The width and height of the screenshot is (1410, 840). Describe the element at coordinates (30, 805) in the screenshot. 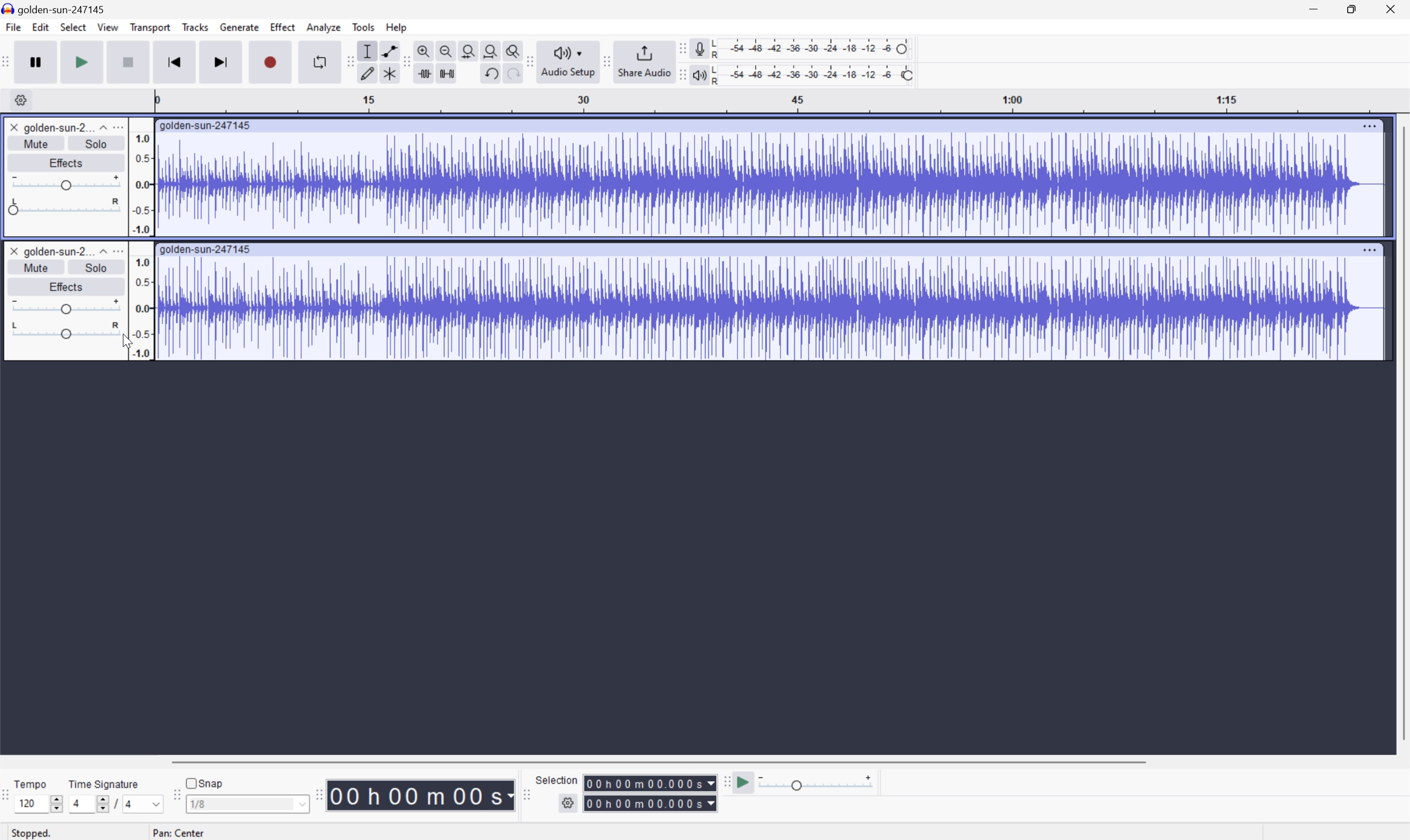

I see `120` at that location.